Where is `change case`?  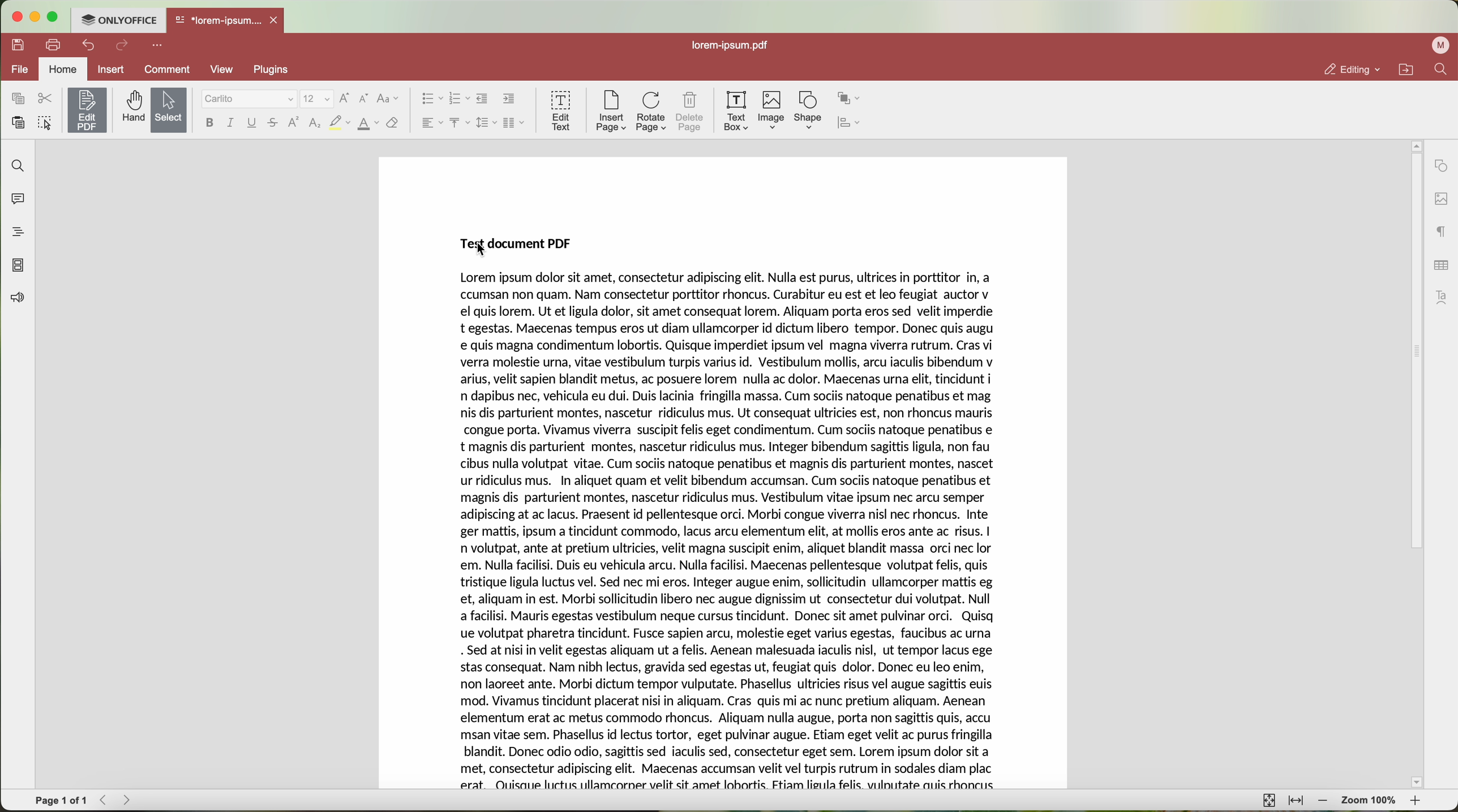
change case is located at coordinates (389, 98).